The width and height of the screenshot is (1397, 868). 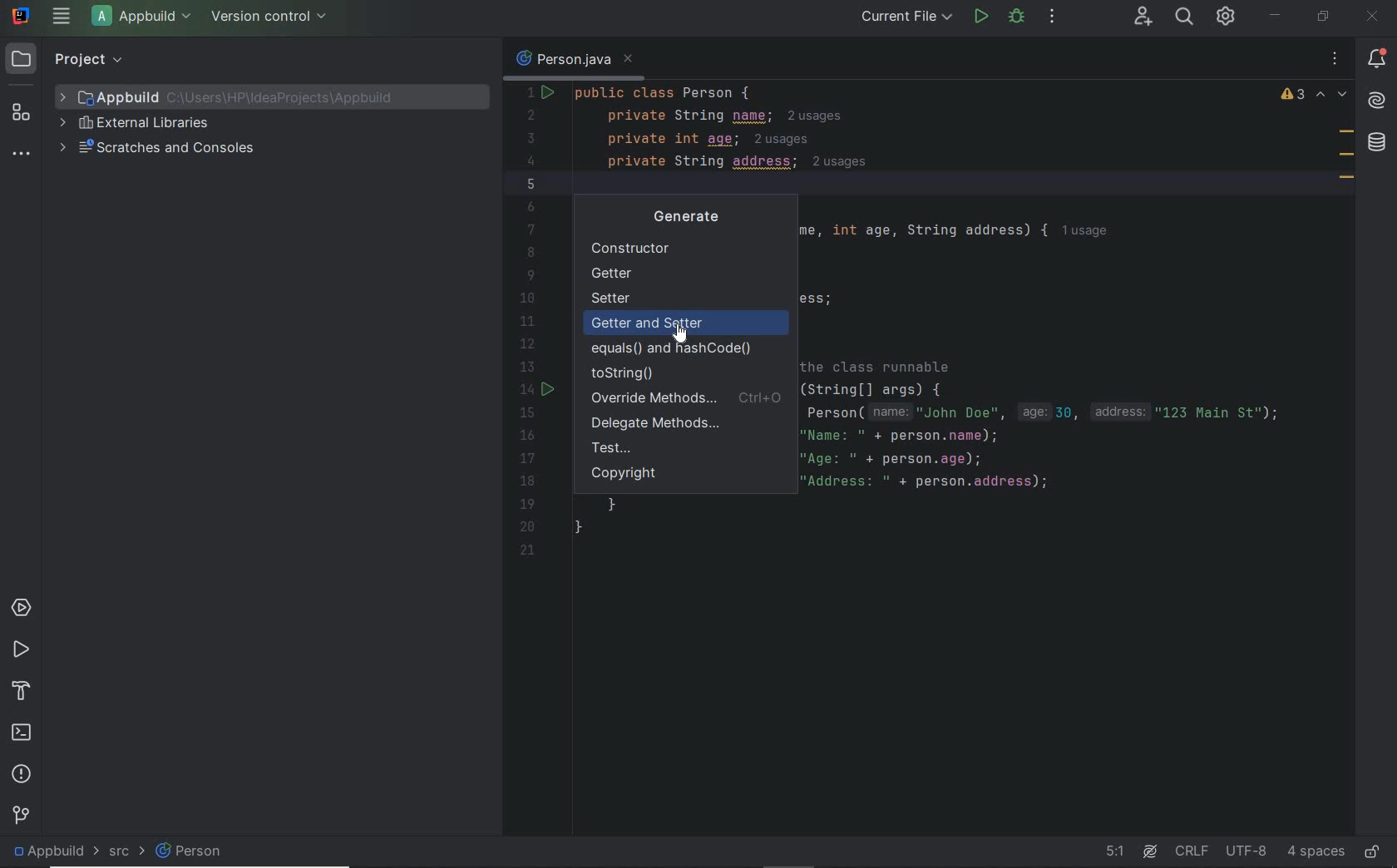 What do you see at coordinates (273, 17) in the screenshot?
I see `version control` at bounding box center [273, 17].